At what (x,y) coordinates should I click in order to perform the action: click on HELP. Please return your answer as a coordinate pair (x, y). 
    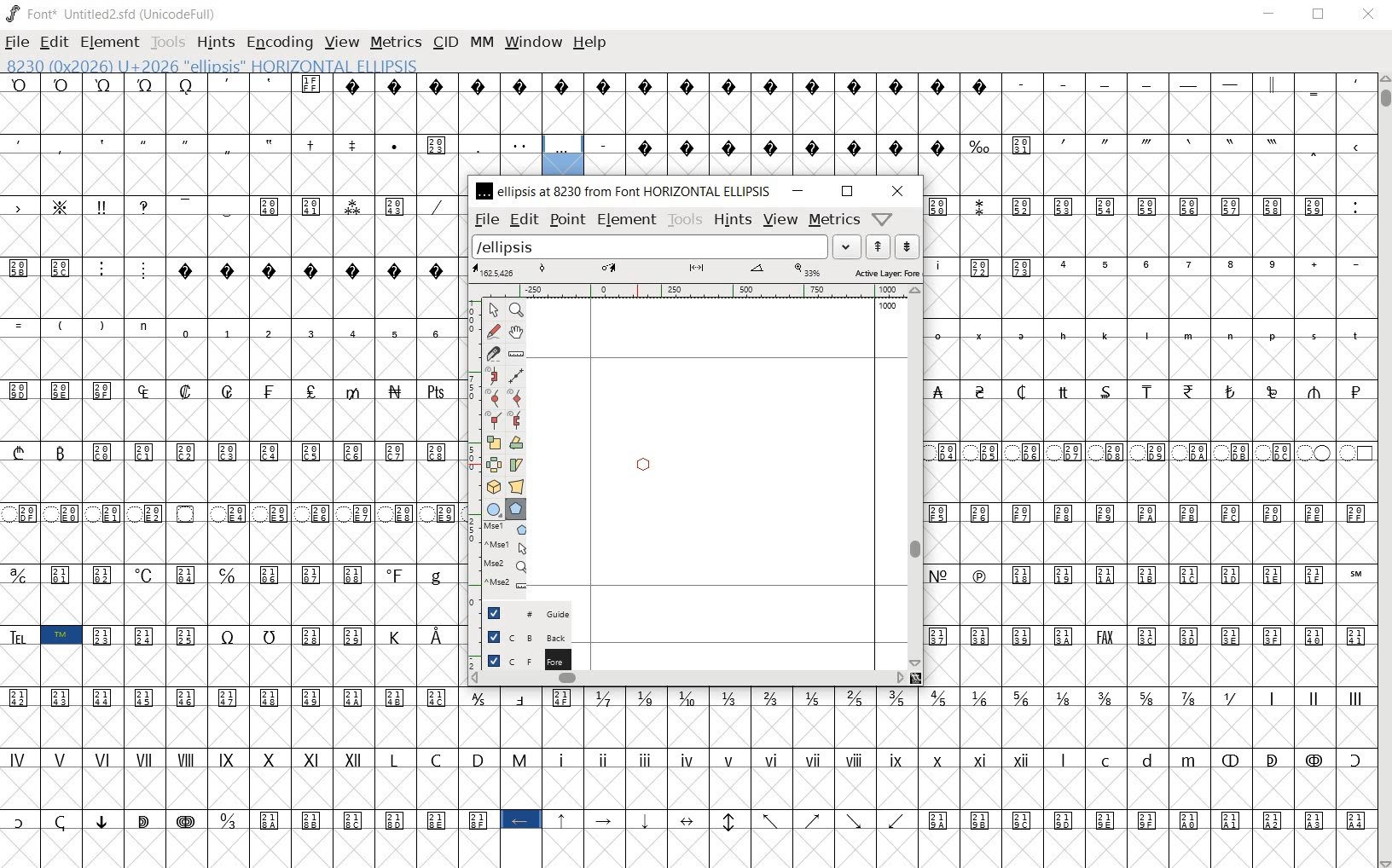
    Looking at the image, I should click on (590, 43).